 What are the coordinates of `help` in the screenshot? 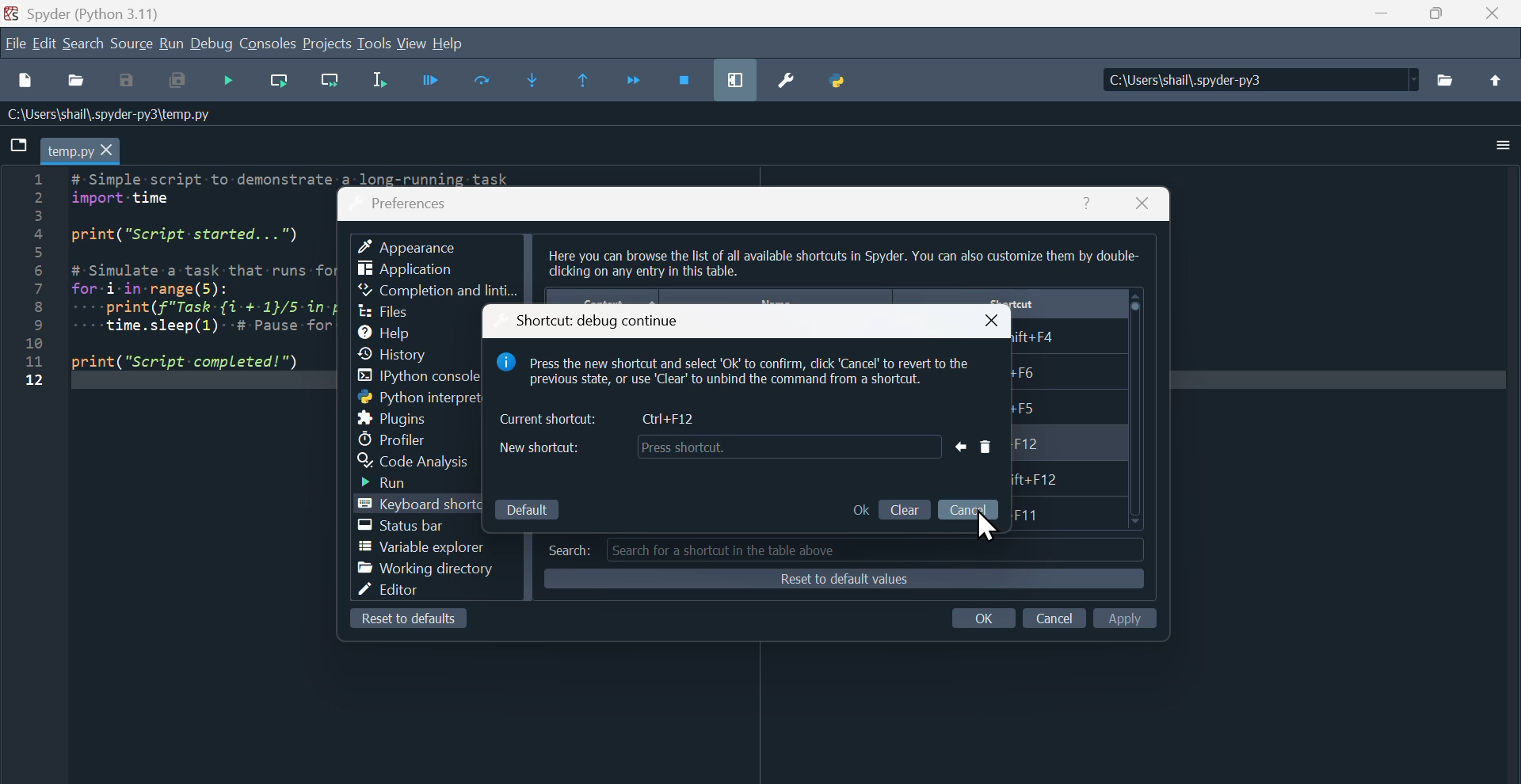 It's located at (1085, 204).